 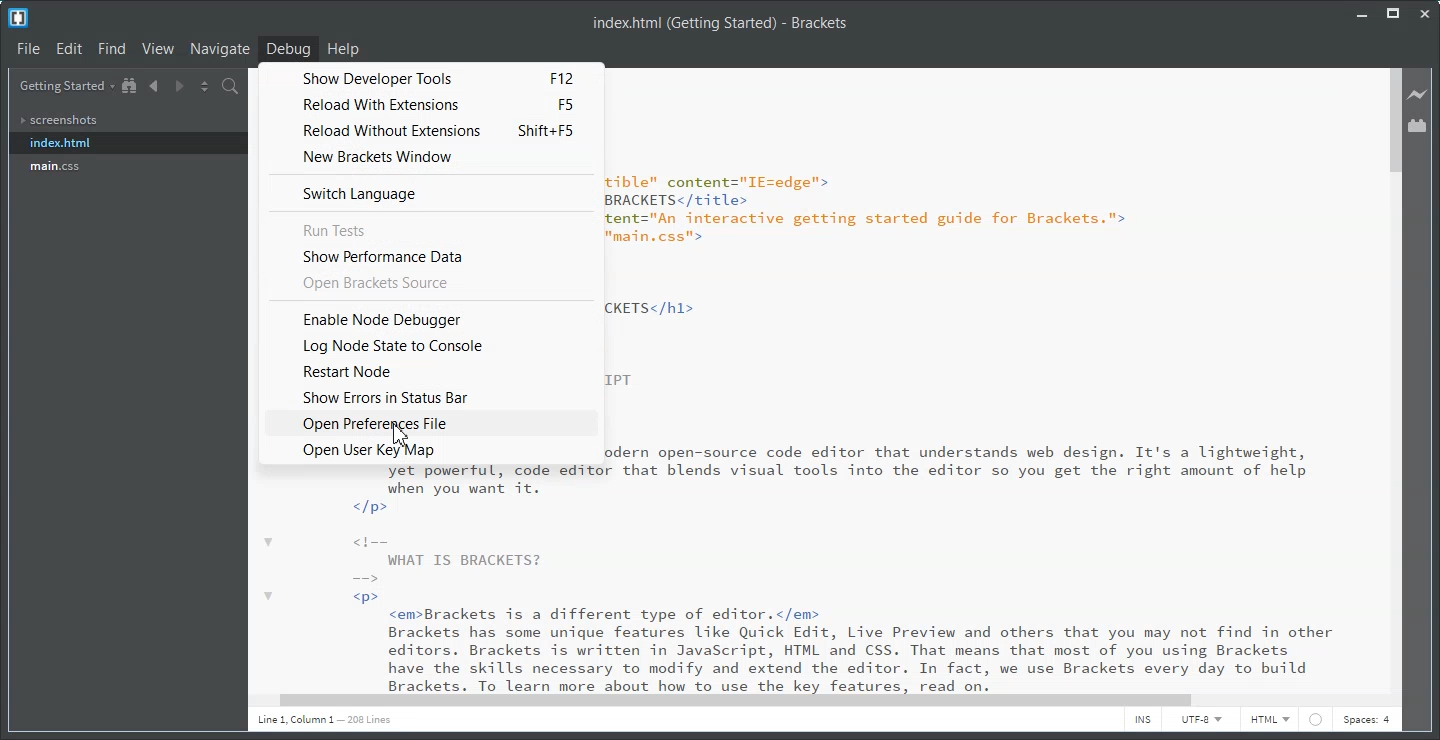 What do you see at coordinates (1319, 720) in the screenshot?
I see `circle` at bounding box center [1319, 720].